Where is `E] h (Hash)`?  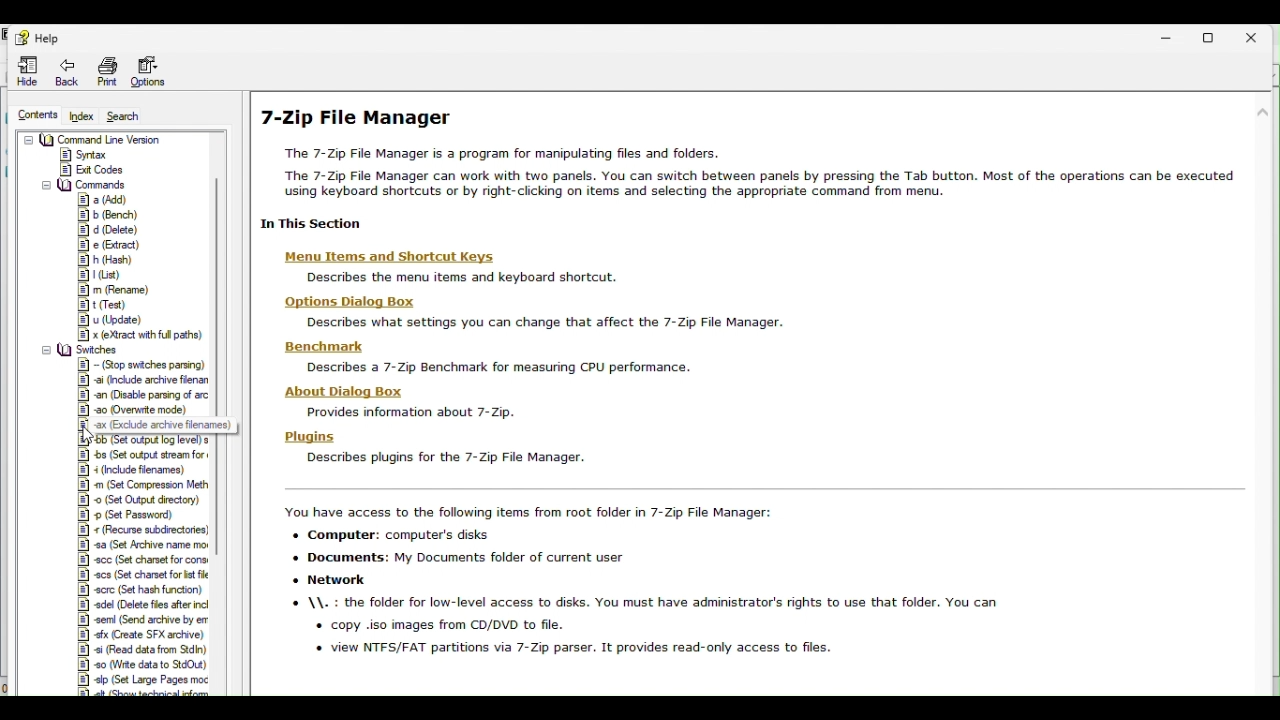 E] h (Hash) is located at coordinates (107, 260).